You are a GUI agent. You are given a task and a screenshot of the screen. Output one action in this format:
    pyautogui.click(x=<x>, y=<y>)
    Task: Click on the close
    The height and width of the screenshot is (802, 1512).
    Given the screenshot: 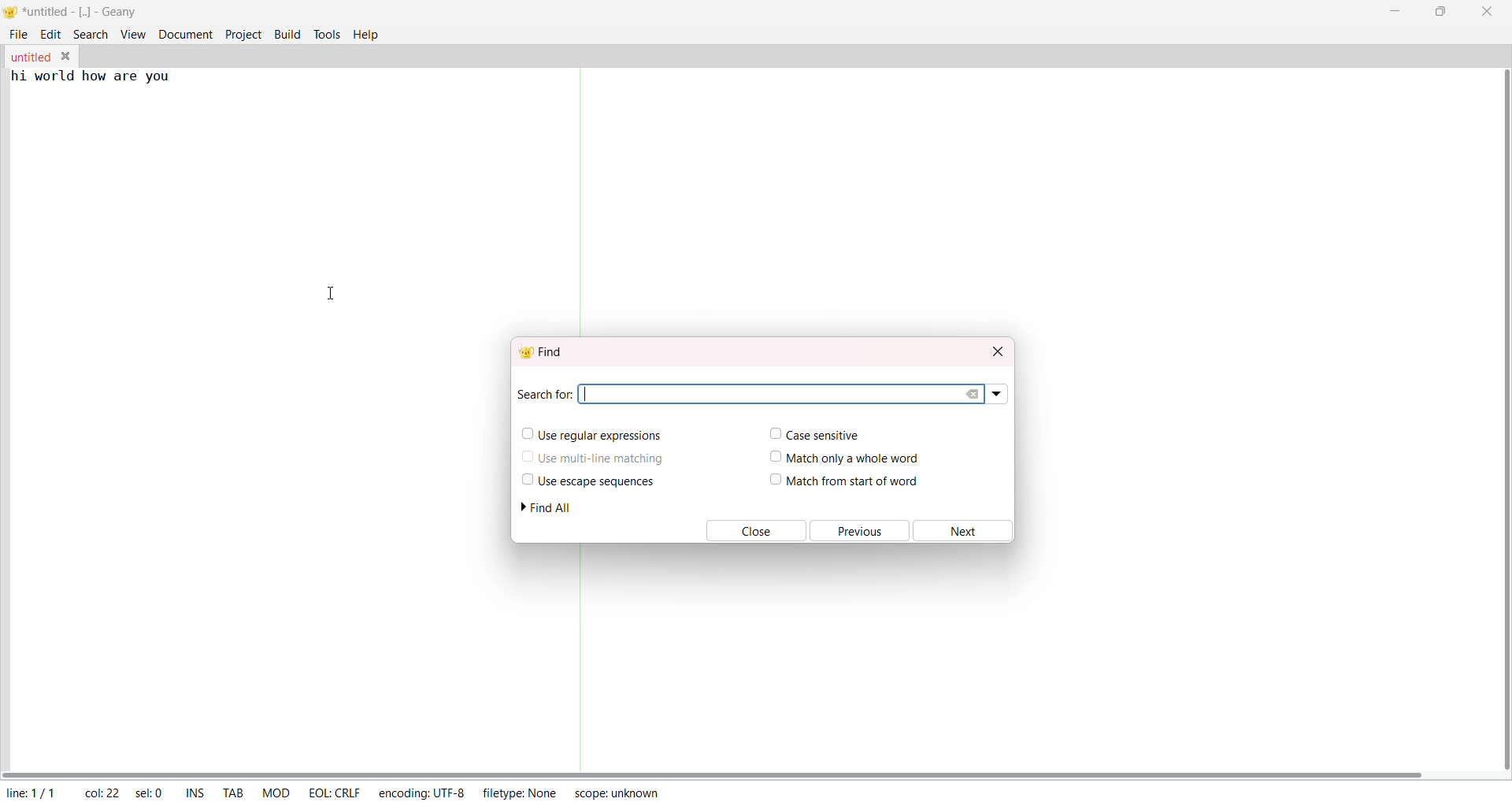 What is the action you would take?
    pyautogui.click(x=997, y=351)
    